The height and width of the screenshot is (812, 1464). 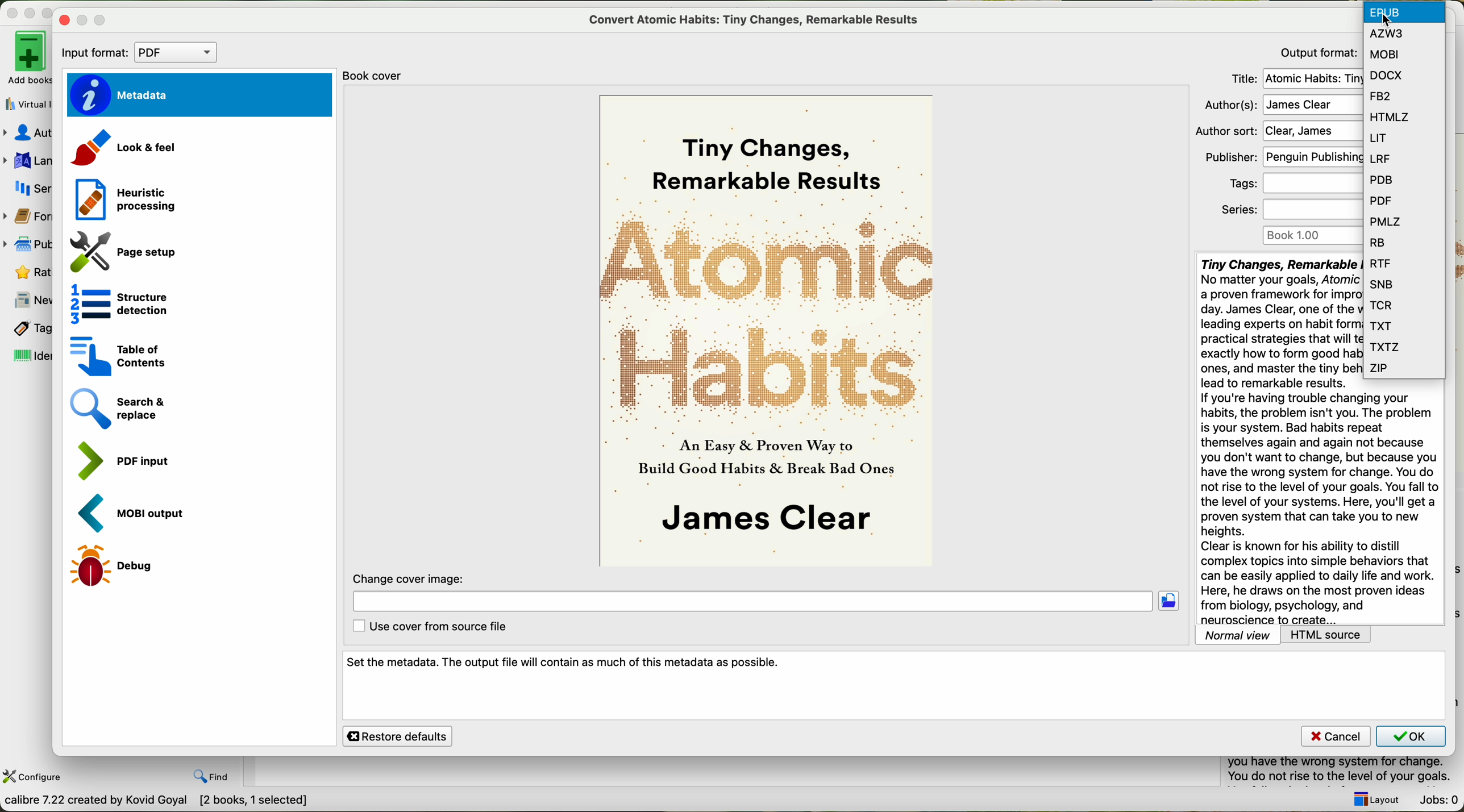 What do you see at coordinates (27, 160) in the screenshot?
I see `languages` at bounding box center [27, 160].